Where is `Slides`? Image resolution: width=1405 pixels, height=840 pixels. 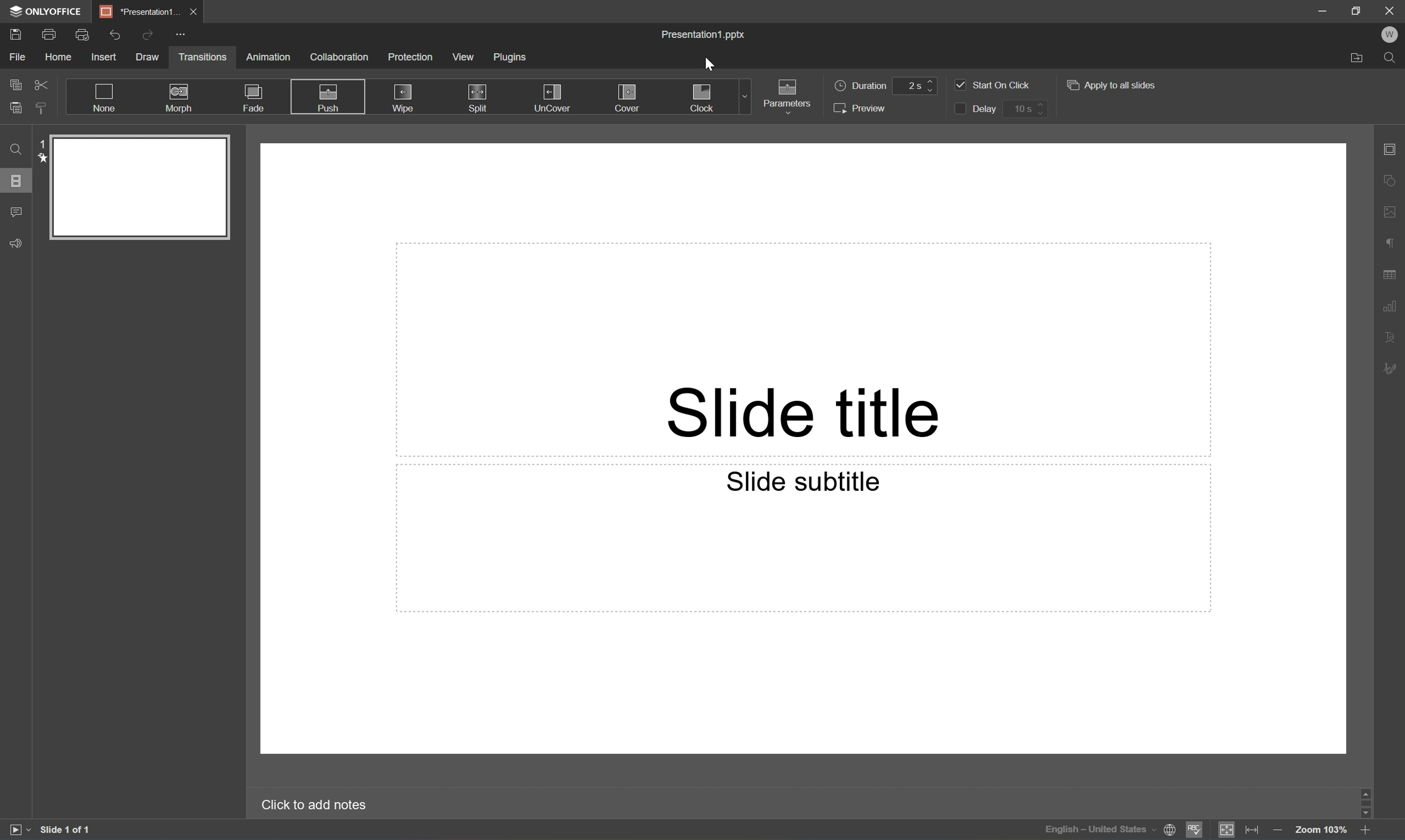 Slides is located at coordinates (18, 182).